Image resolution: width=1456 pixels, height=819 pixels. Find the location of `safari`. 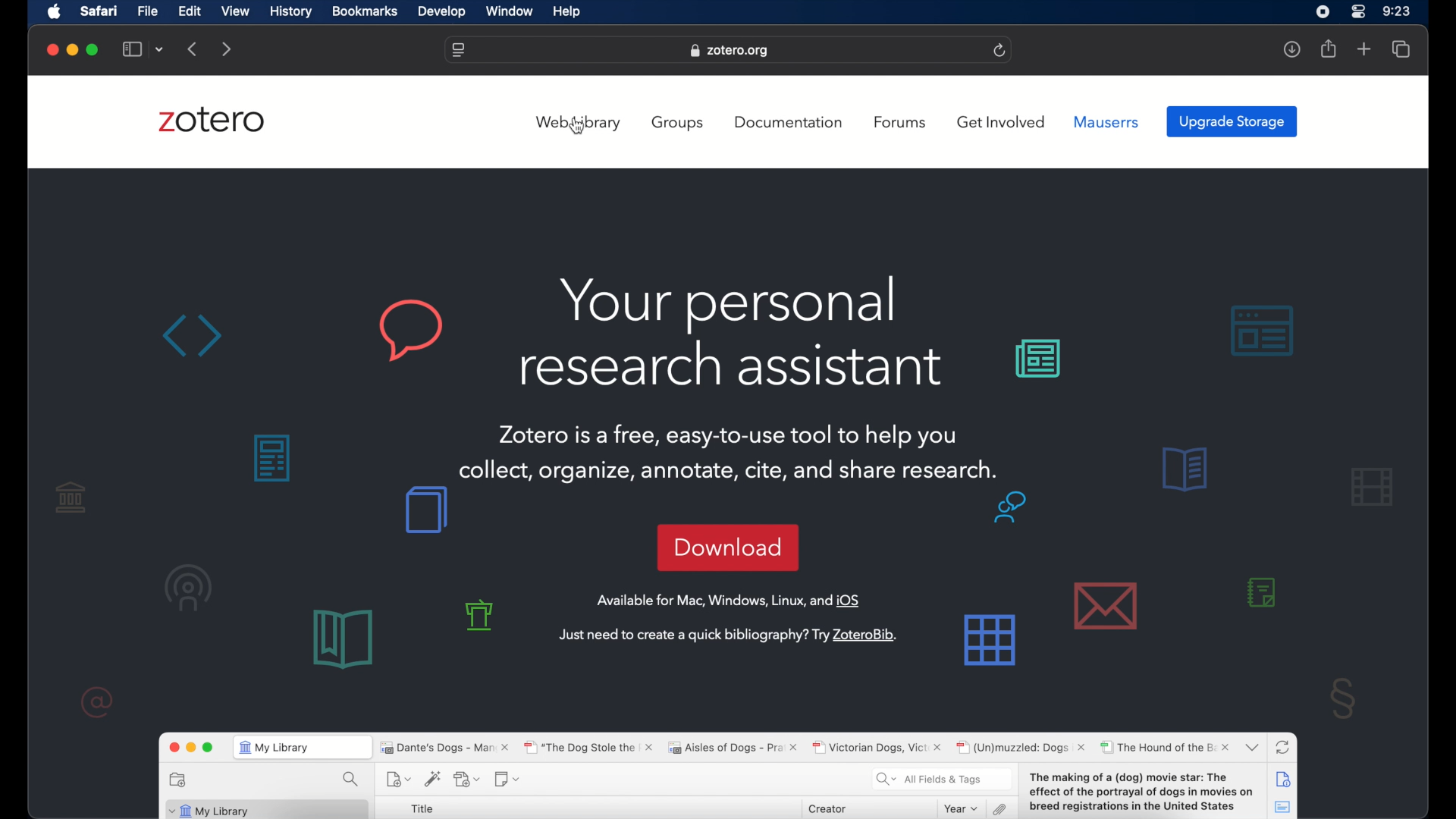

safari is located at coordinates (99, 11).